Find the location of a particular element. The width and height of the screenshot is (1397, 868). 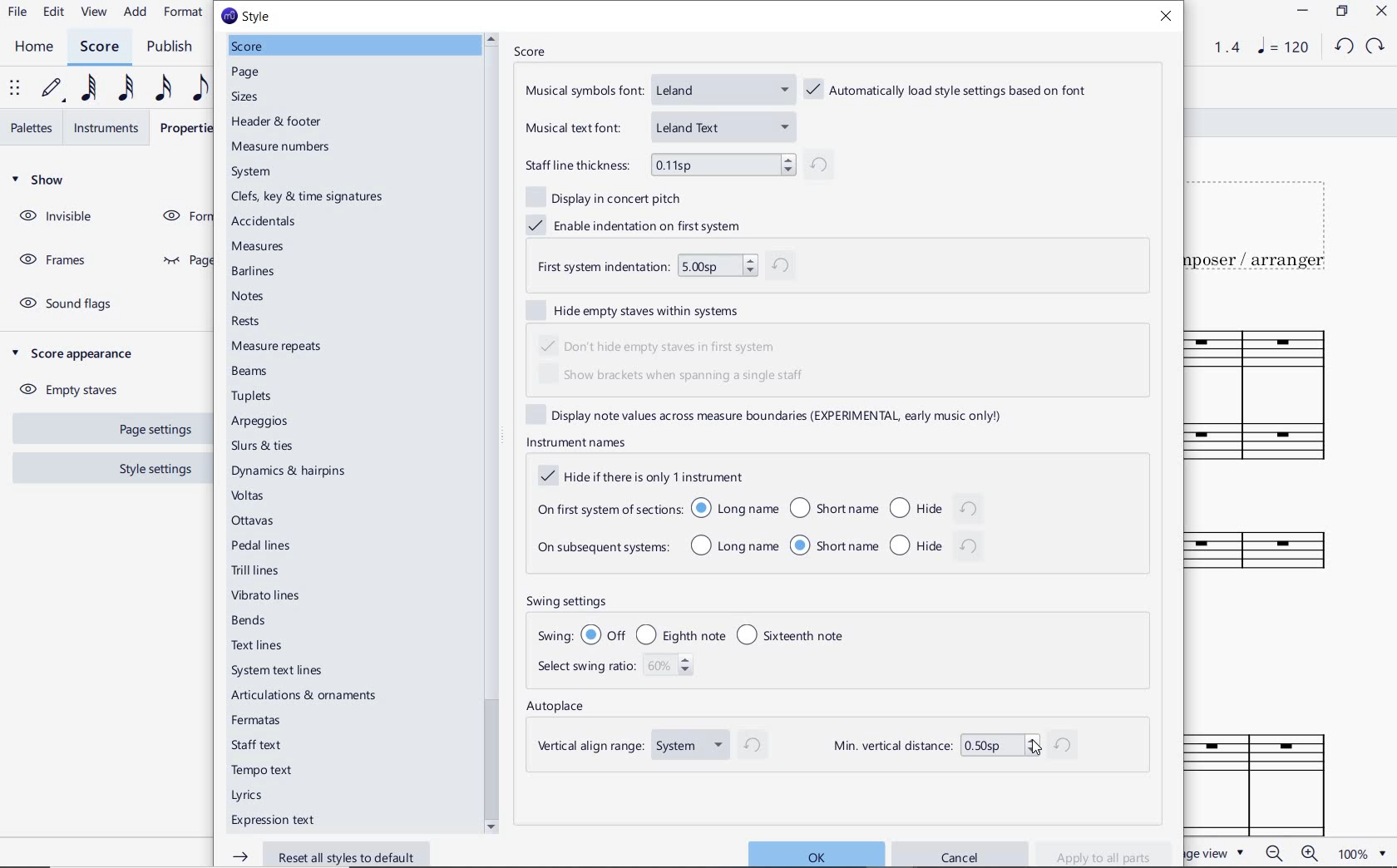

HIDE EMPTY STARVES WITH SYSTEM is located at coordinates (641, 311).